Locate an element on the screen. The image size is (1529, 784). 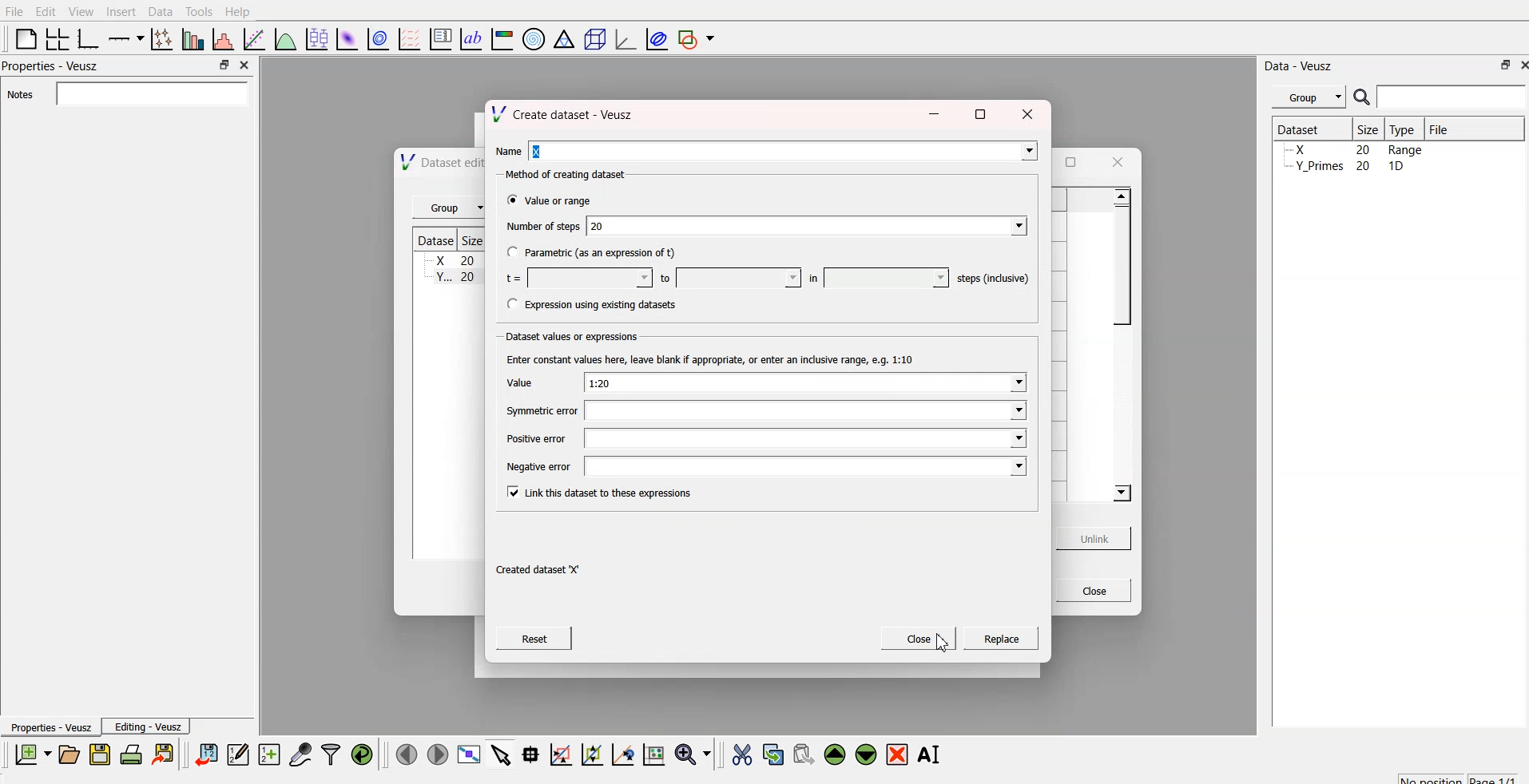
zoom menu is located at coordinates (693, 754).